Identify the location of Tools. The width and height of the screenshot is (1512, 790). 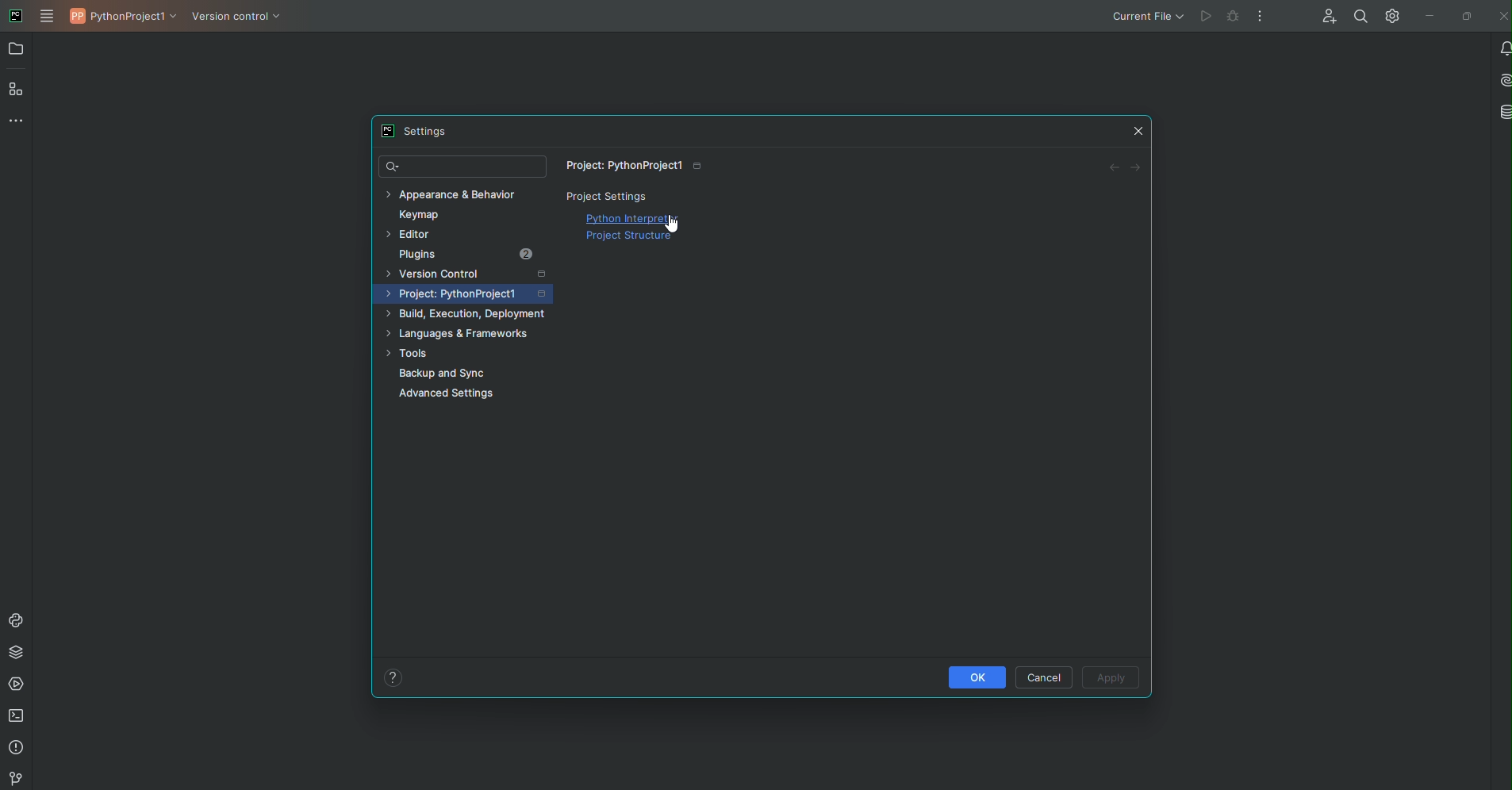
(410, 354).